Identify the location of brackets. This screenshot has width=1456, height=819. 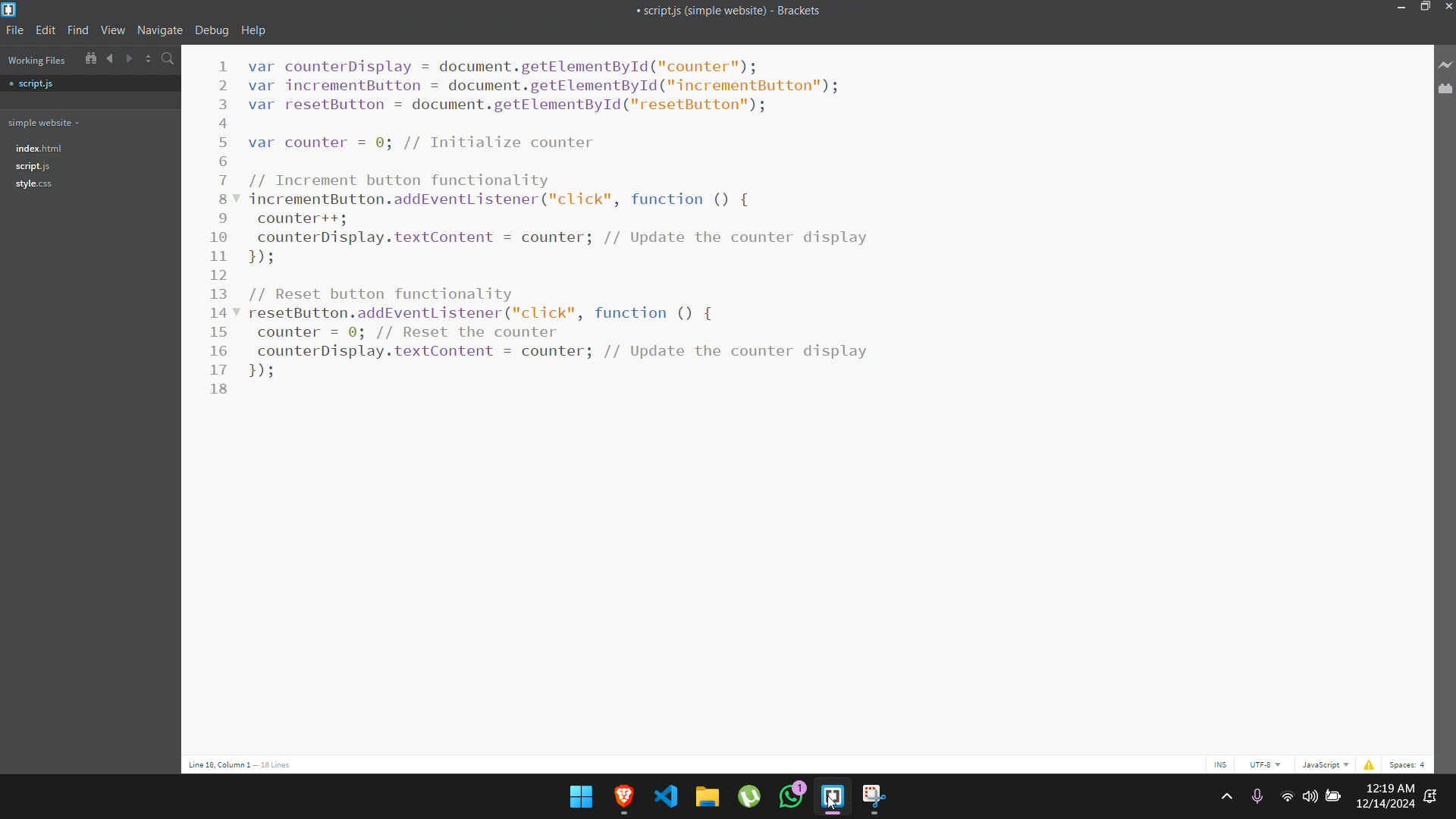
(12, 9).